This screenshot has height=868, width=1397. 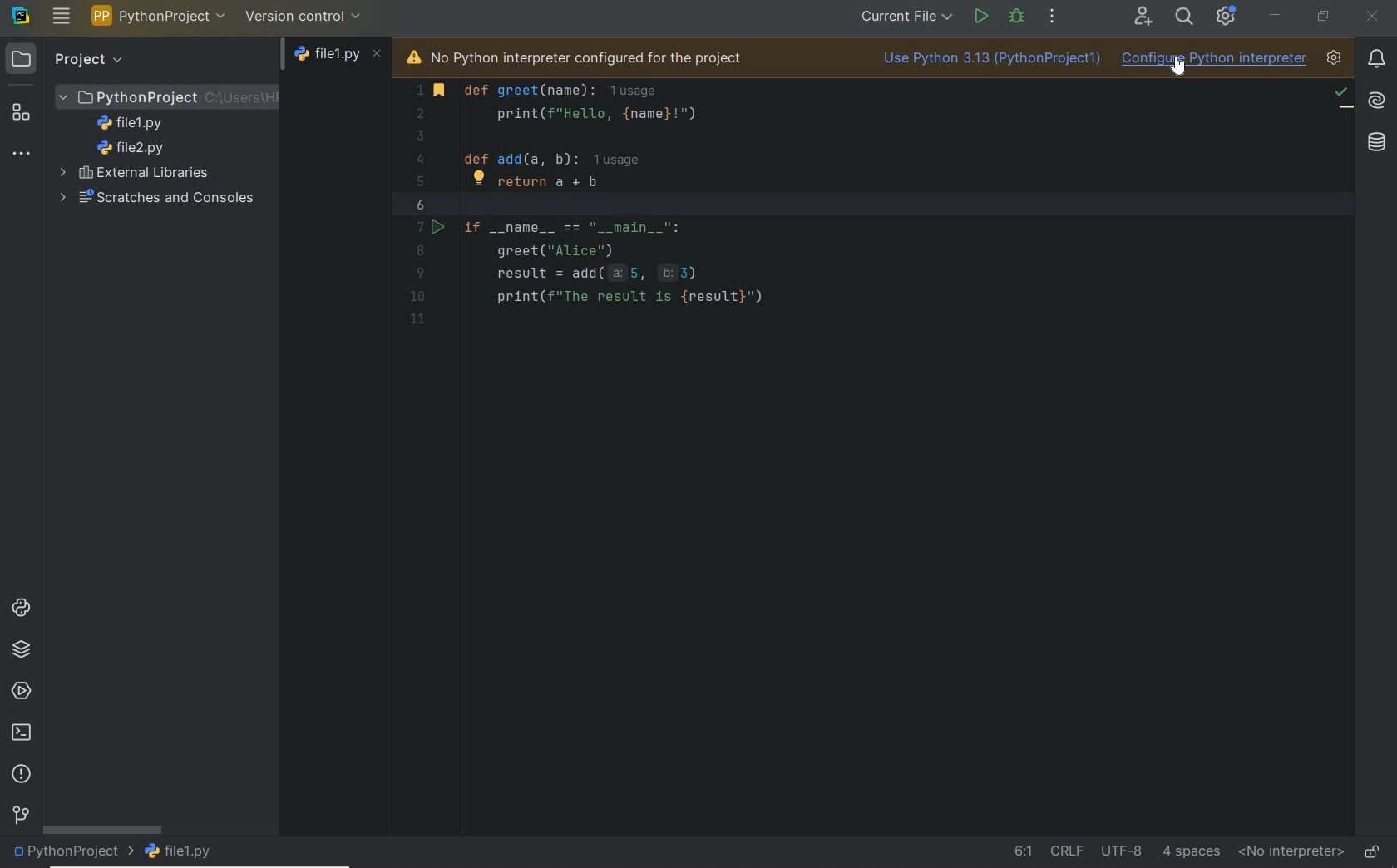 I want to click on python consoles, so click(x=19, y=607).